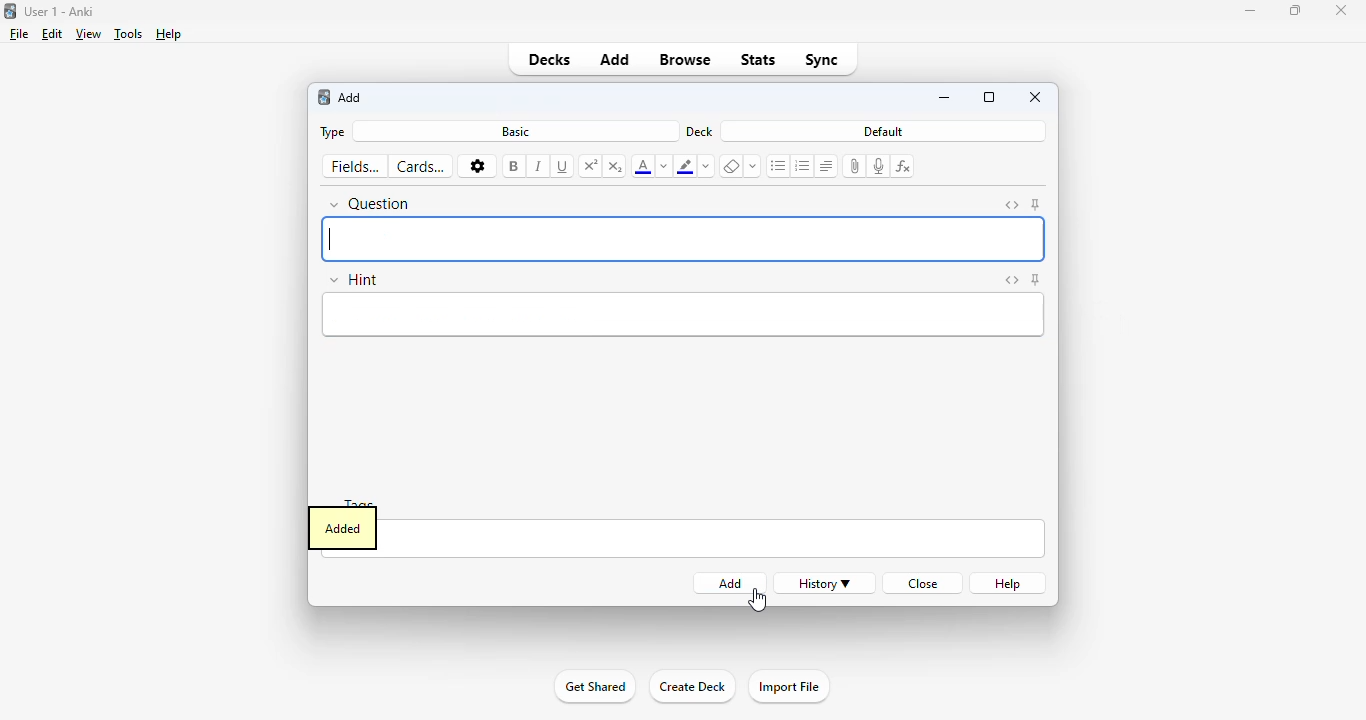 The height and width of the screenshot is (720, 1366). What do you see at coordinates (323, 97) in the screenshot?
I see `logo` at bounding box center [323, 97].